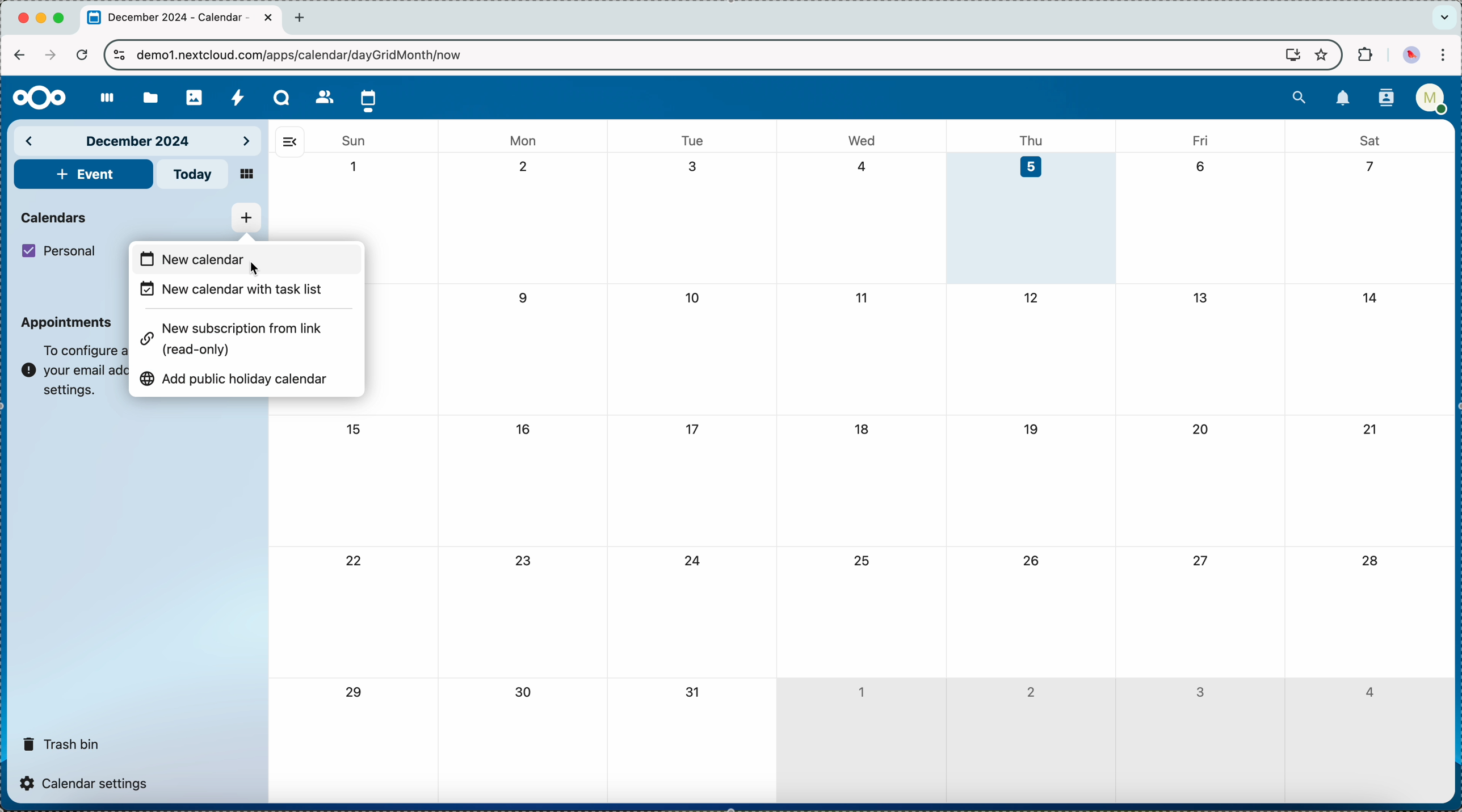 This screenshot has height=812, width=1462. What do you see at coordinates (1368, 692) in the screenshot?
I see `4` at bounding box center [1368, 692].